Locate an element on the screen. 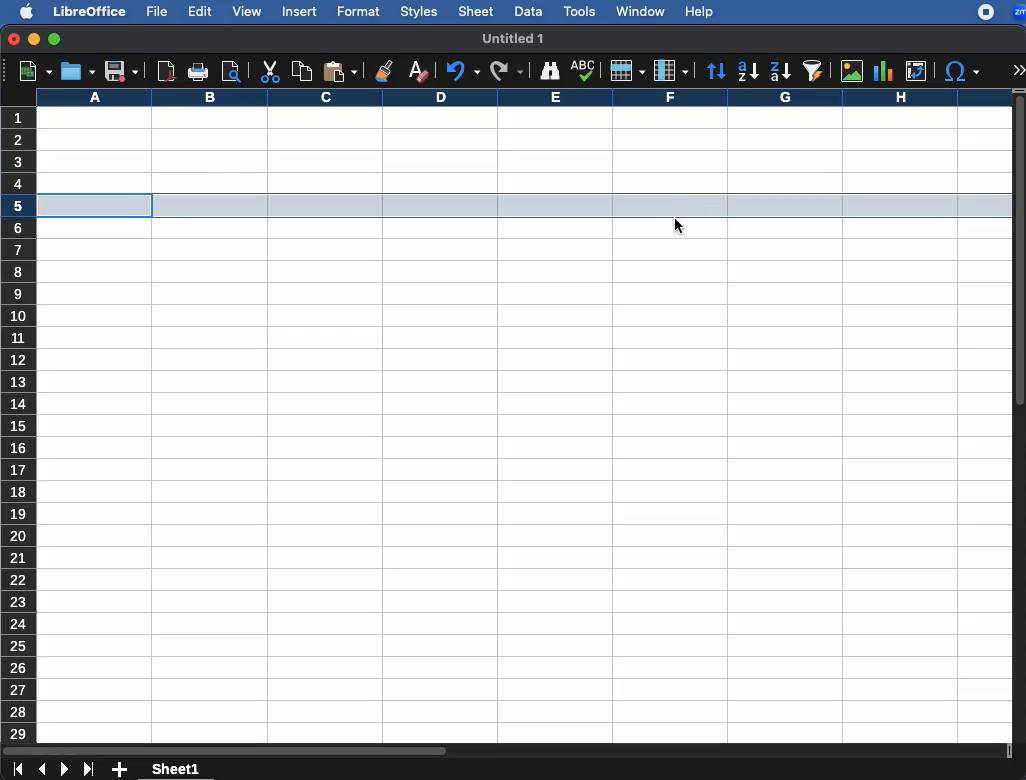  sort is located at coordinates (715, 73).